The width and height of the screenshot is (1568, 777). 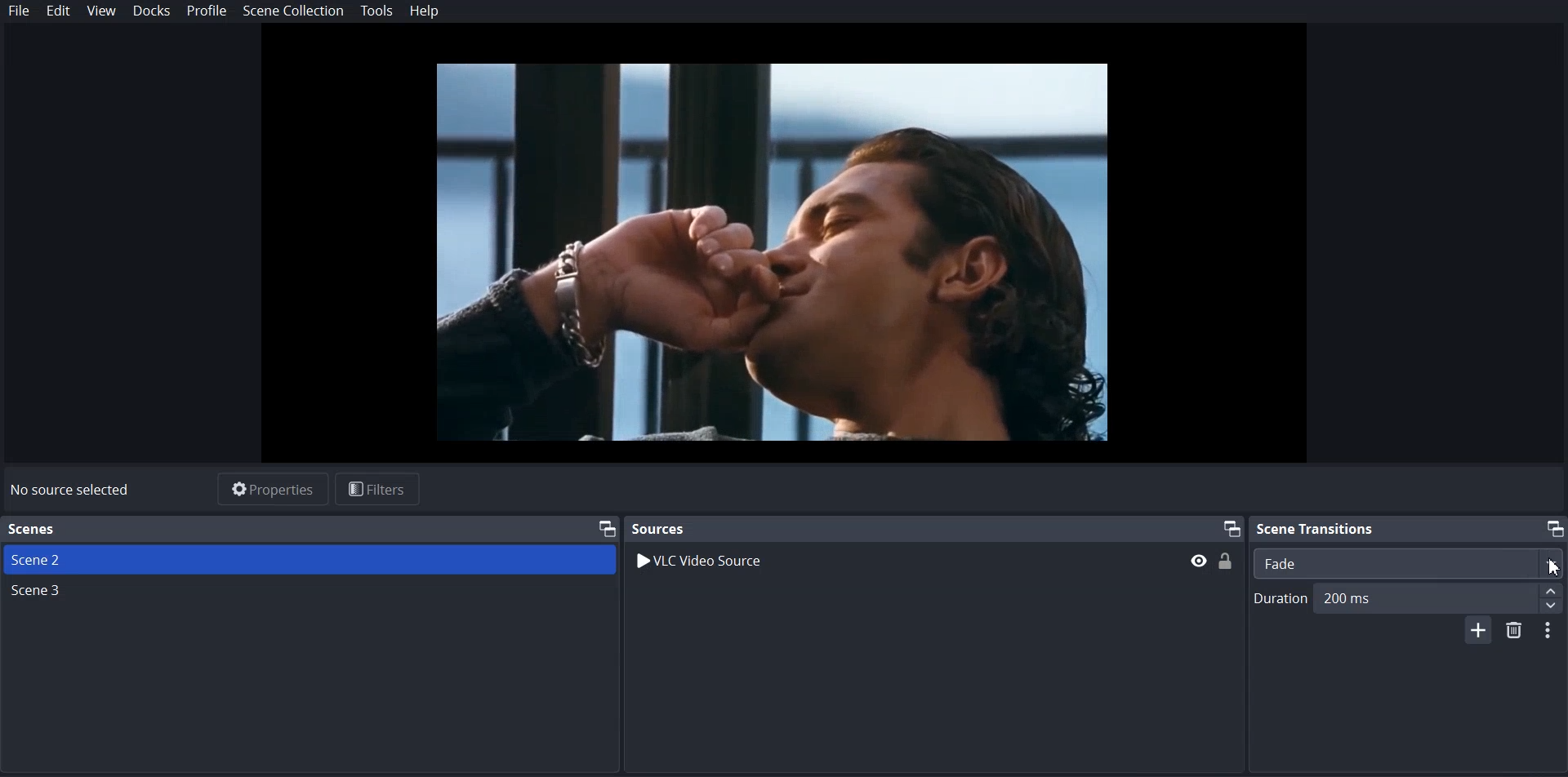 What do you see at coordinates (273, 490) in the screenshot?
I see `Properties` at bounding box center [273, 490].